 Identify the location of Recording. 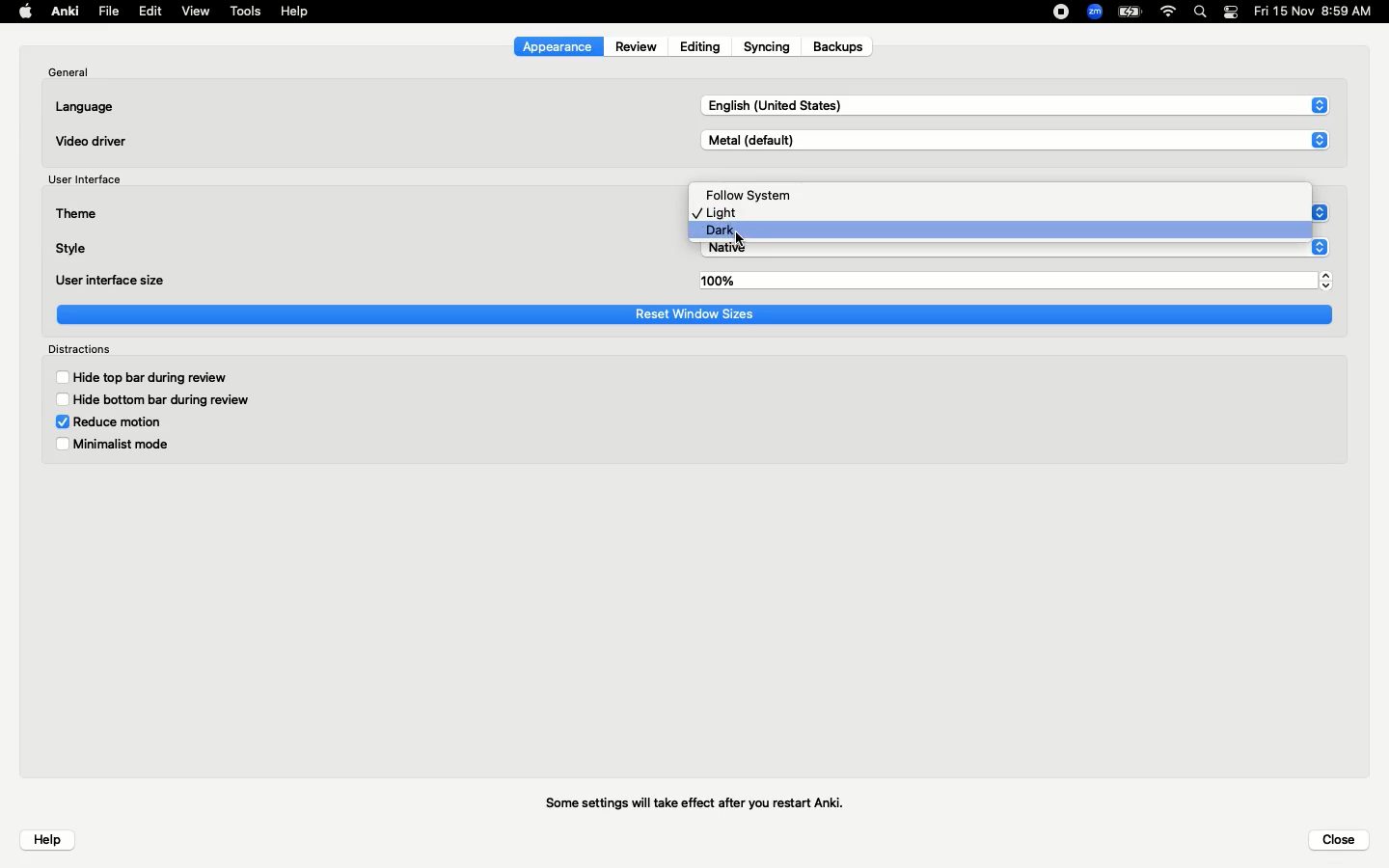
(1063, 12).